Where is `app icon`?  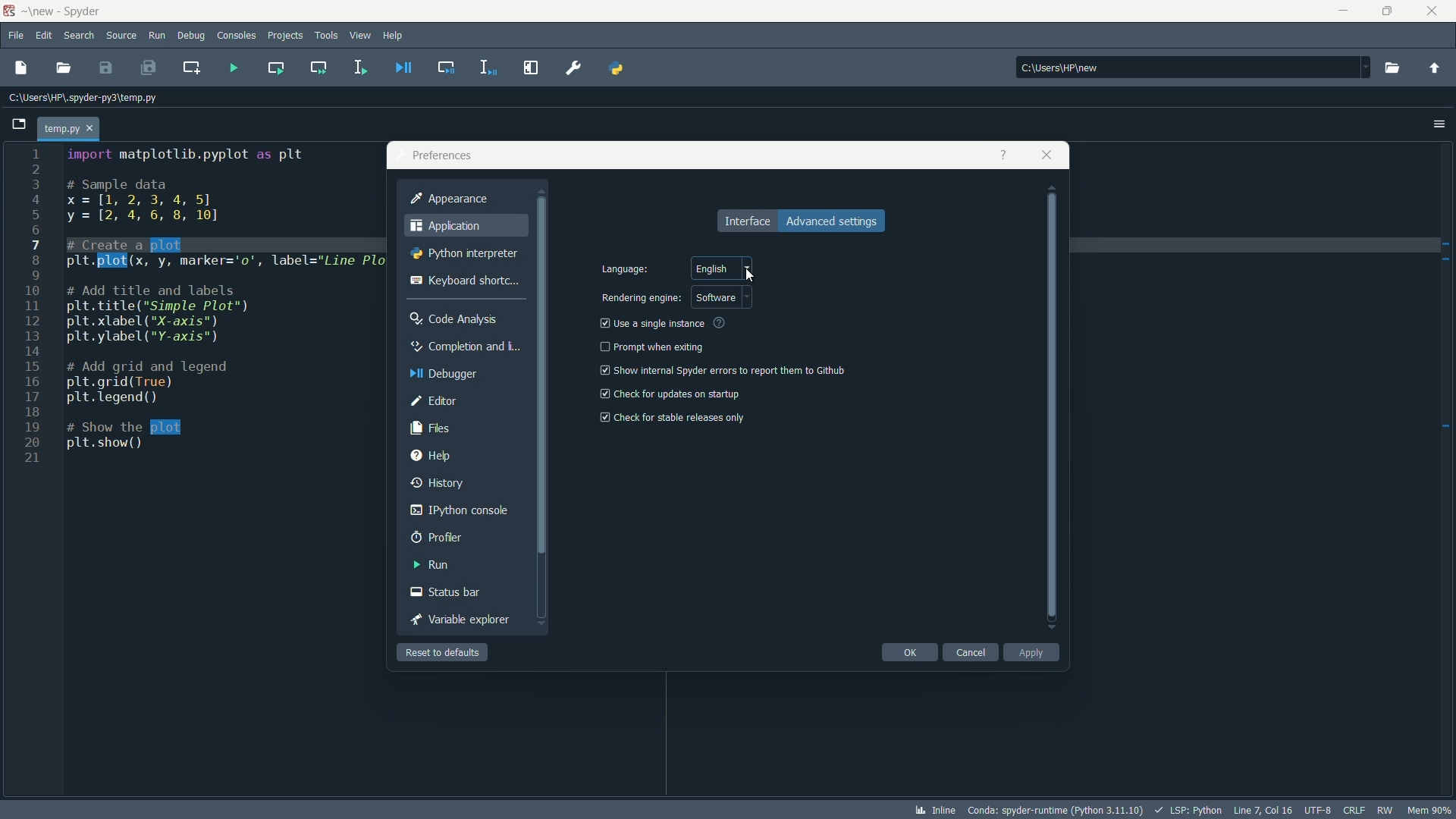 app icon is located at coordinates (11, 13).